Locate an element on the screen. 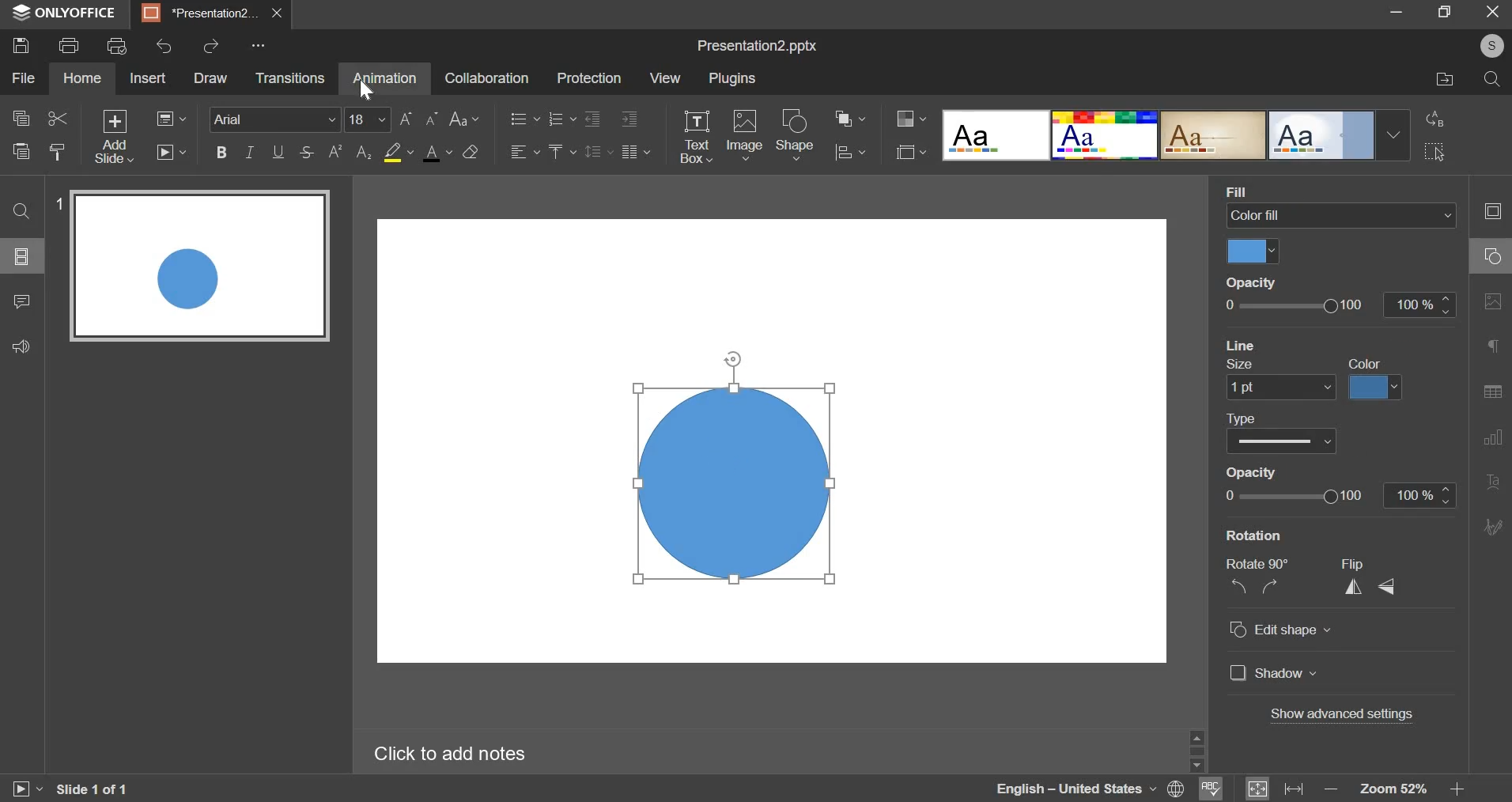  Slide 1 of 1 is located at coordinates (100, 786).